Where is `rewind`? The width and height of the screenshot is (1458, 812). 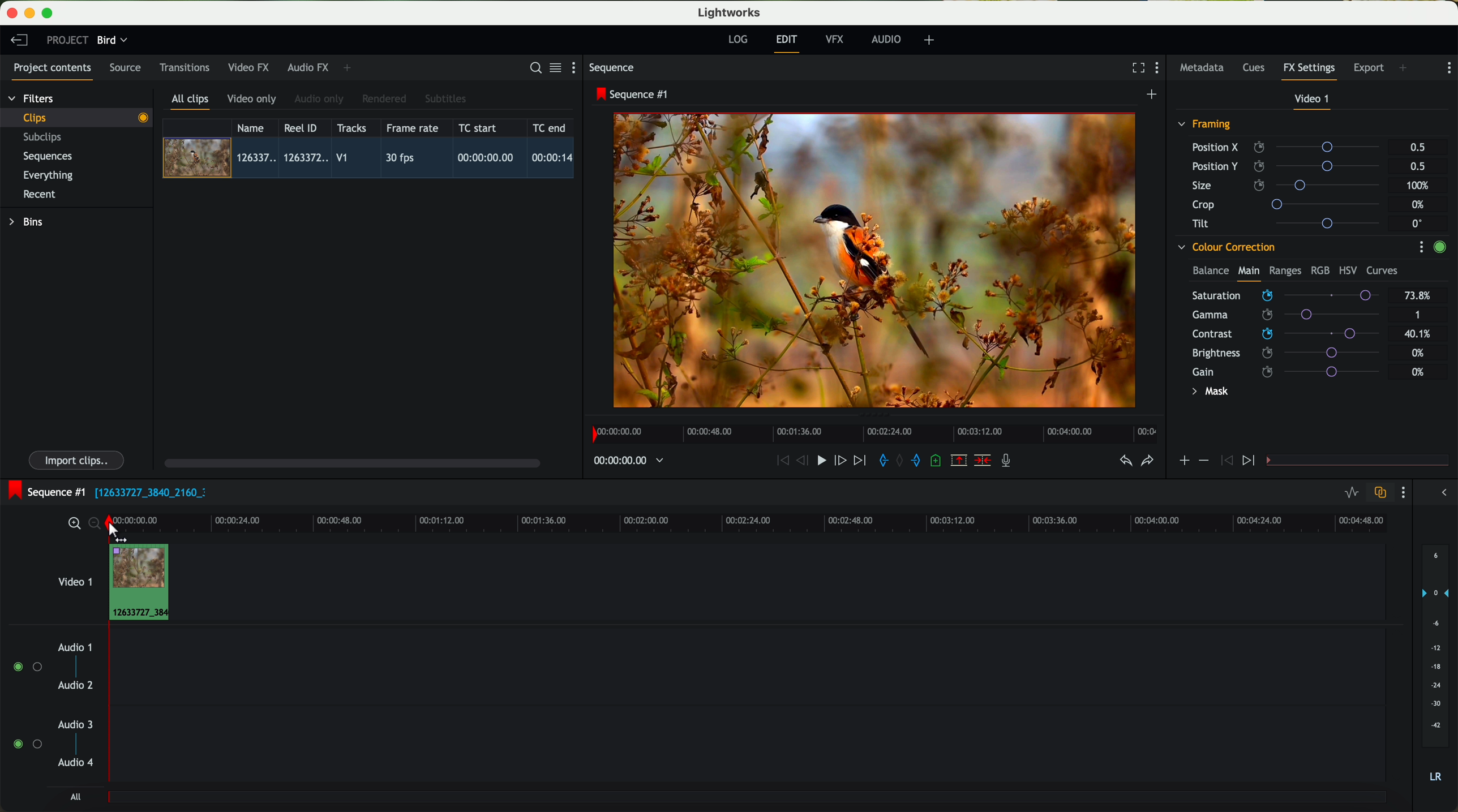
rewind is located at coordinates (782, 461).